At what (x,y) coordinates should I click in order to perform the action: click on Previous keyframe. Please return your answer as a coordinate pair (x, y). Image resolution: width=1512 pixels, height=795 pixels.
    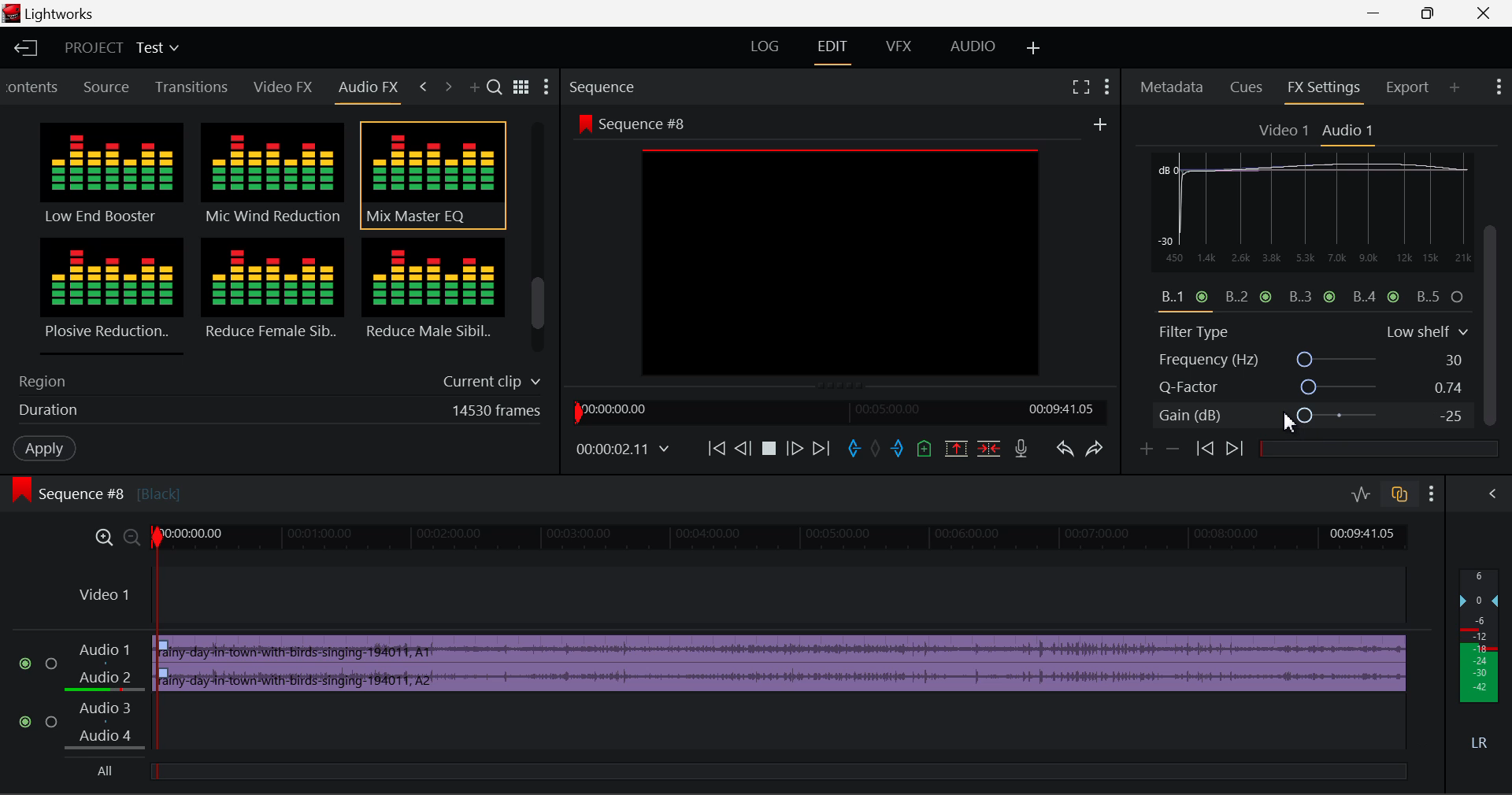
    Looking at the image, I should click on (1208, 449).